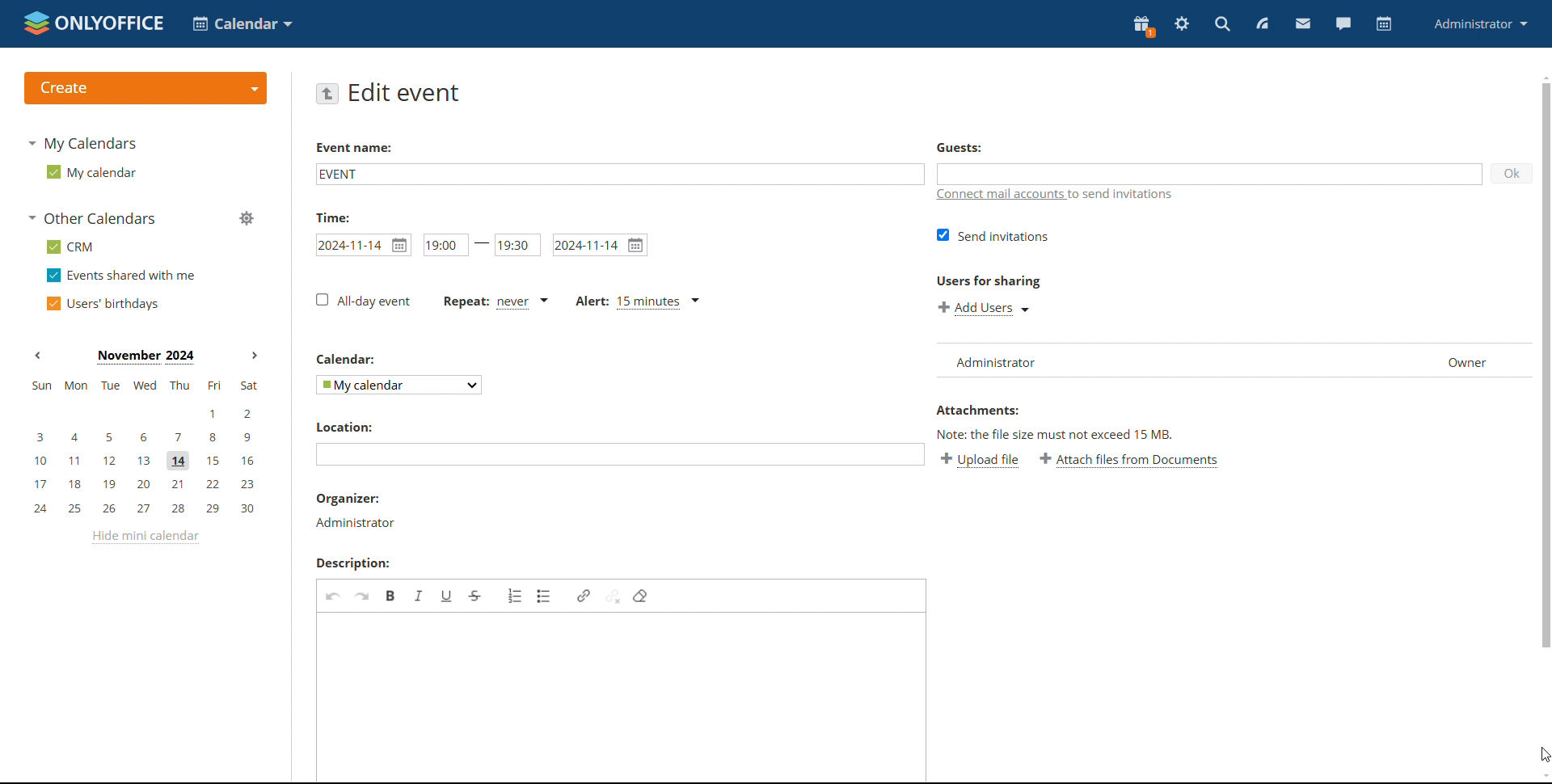 Image resolution: width=1552 pixels, height=784 pixels. I want to click on add guests, so click(1210, 174).